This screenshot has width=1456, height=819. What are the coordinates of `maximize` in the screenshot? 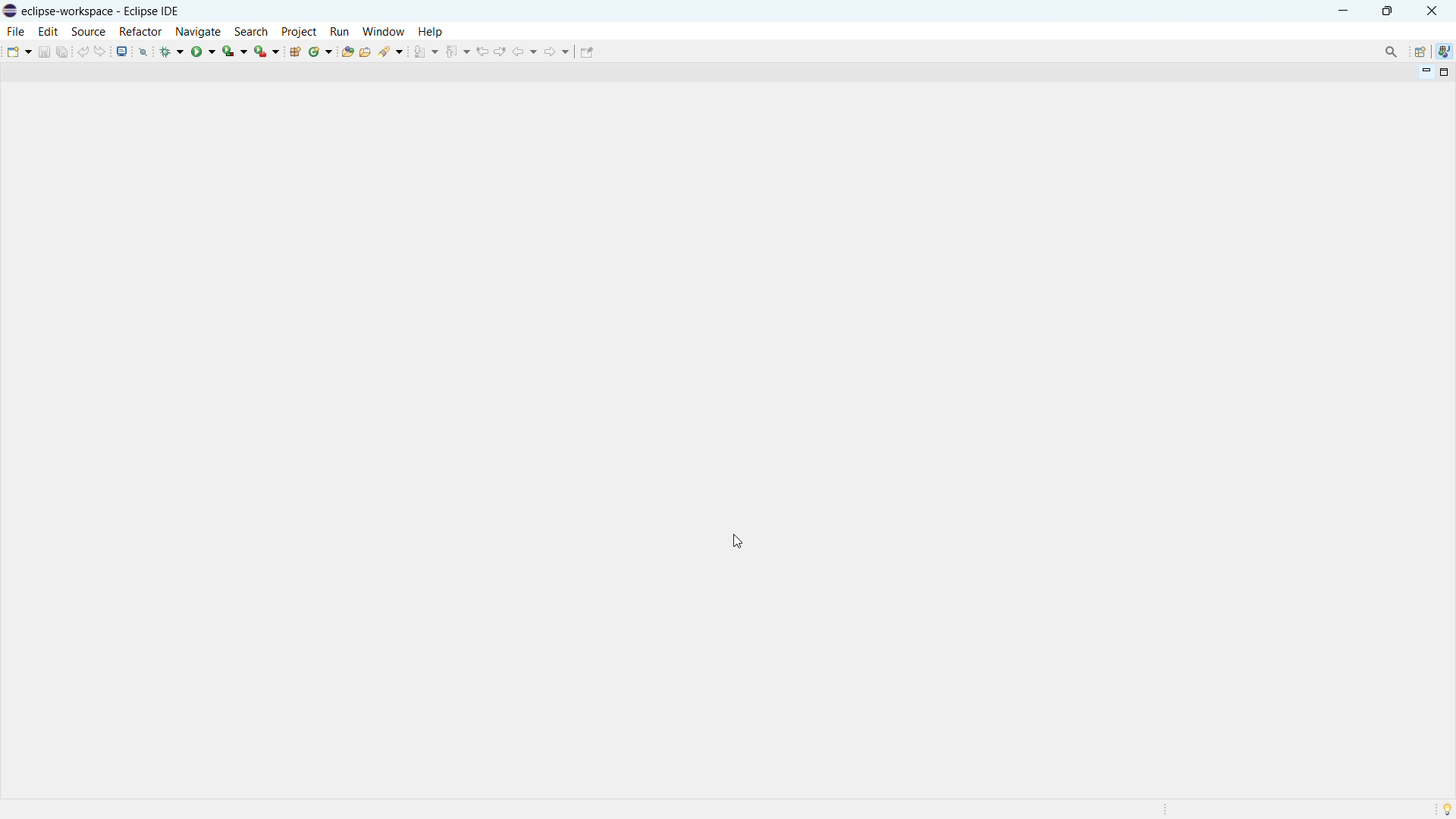 It's located at (1387, 10).